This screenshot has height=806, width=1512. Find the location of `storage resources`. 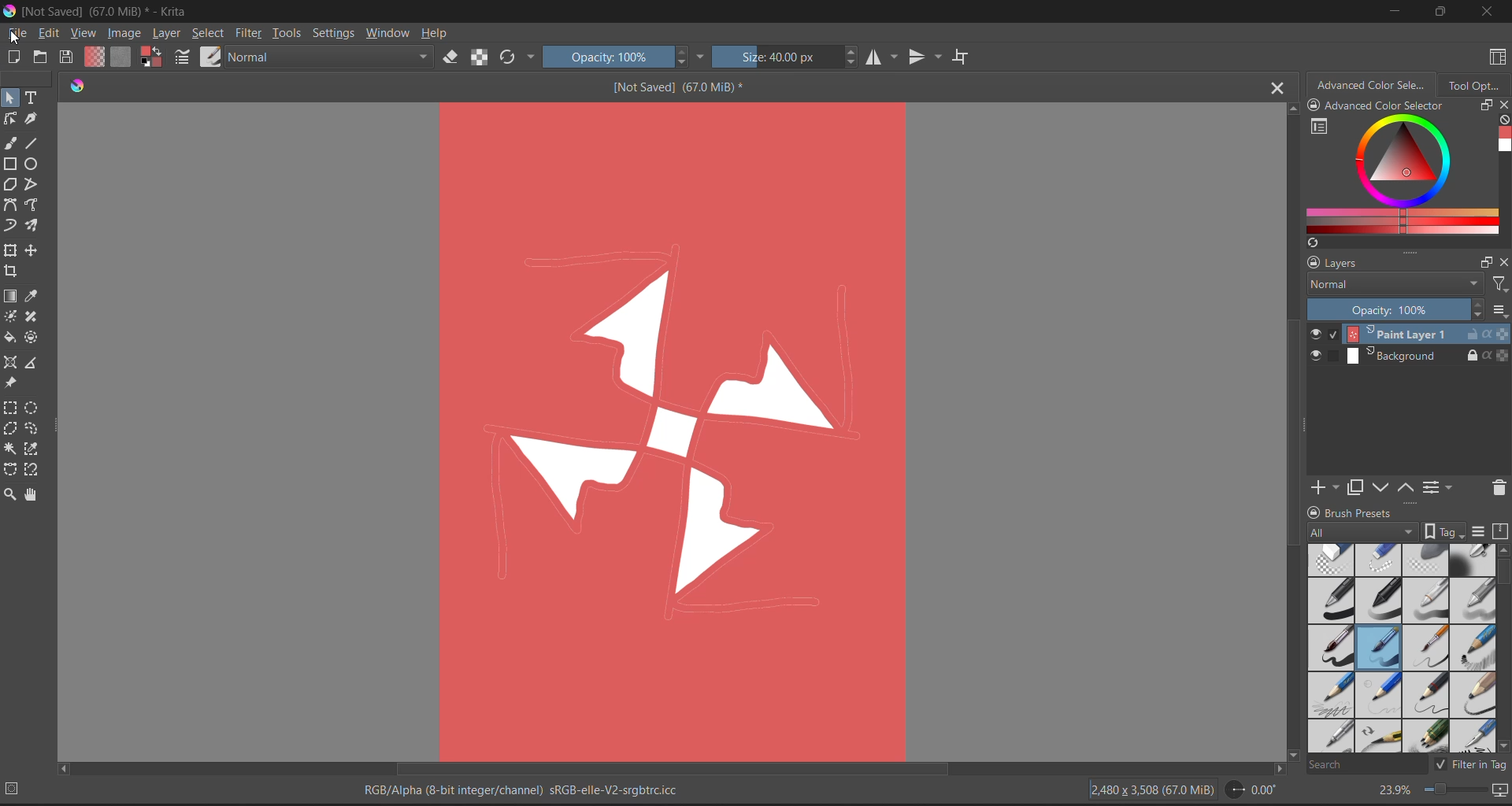

storage resources is located at coordinates (1502, 532).